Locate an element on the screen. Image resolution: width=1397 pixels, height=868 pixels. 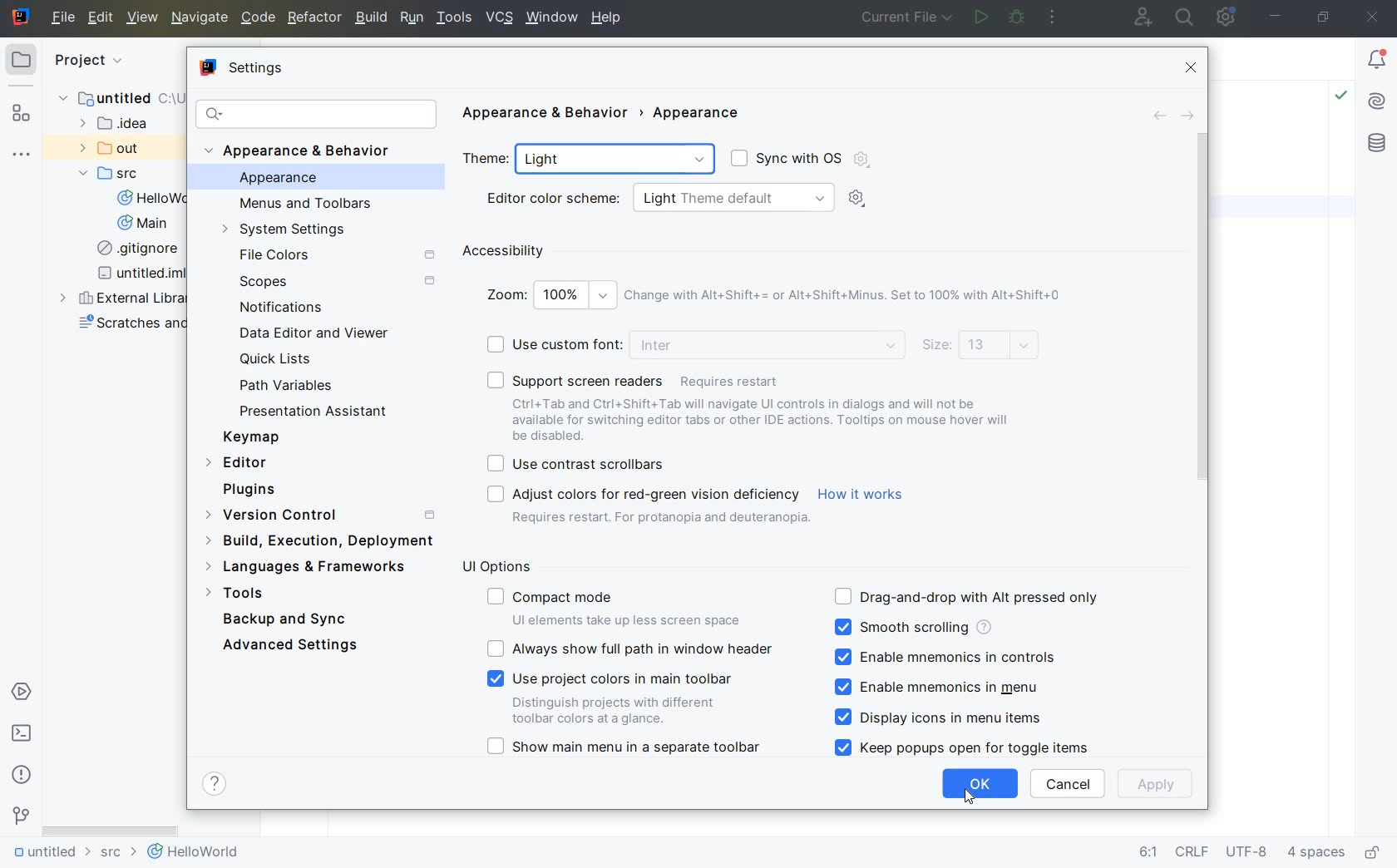
close is located at coordinates (1194, 68).